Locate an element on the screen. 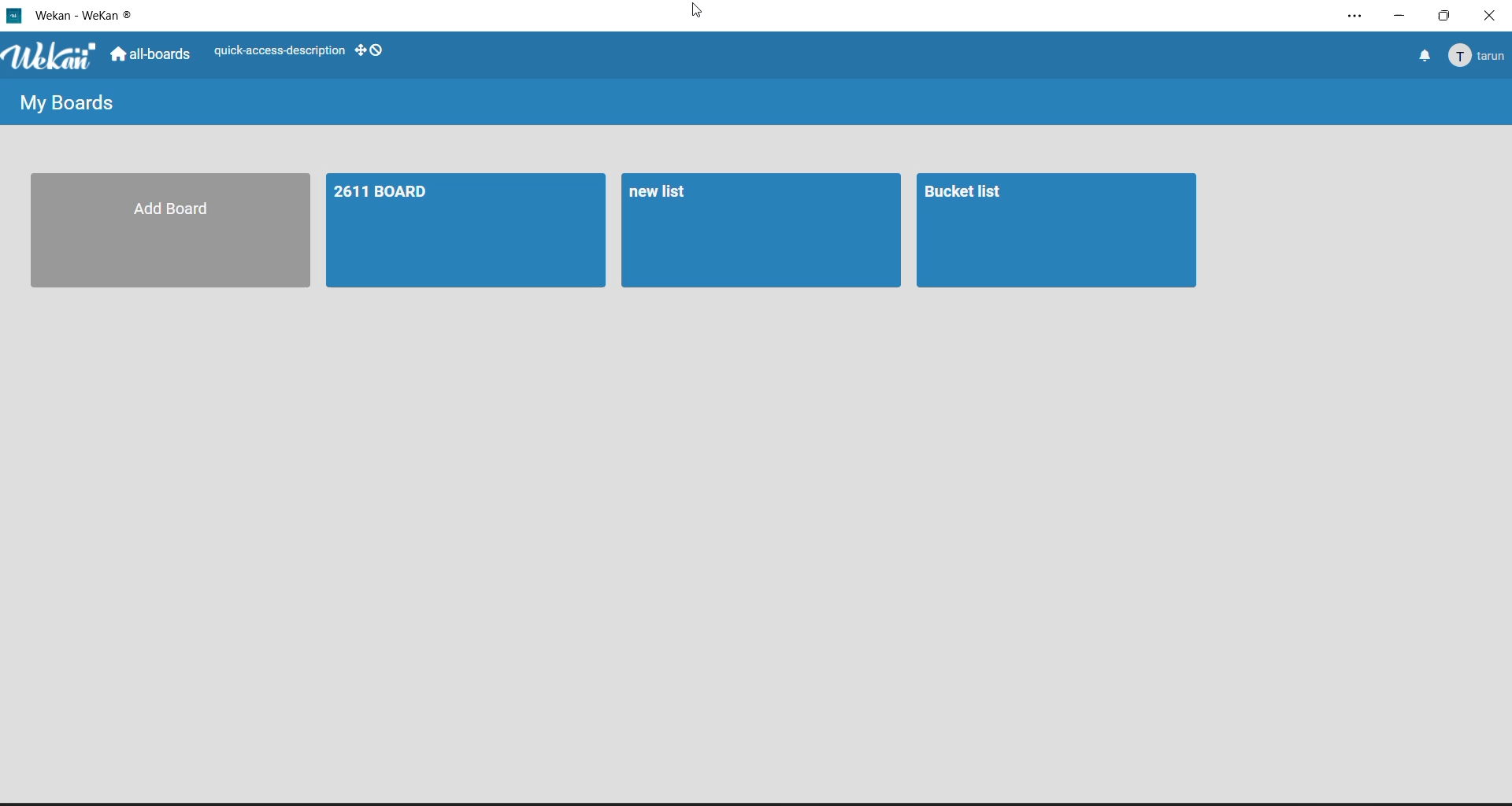  all boards is located at coordinates (154, 57).